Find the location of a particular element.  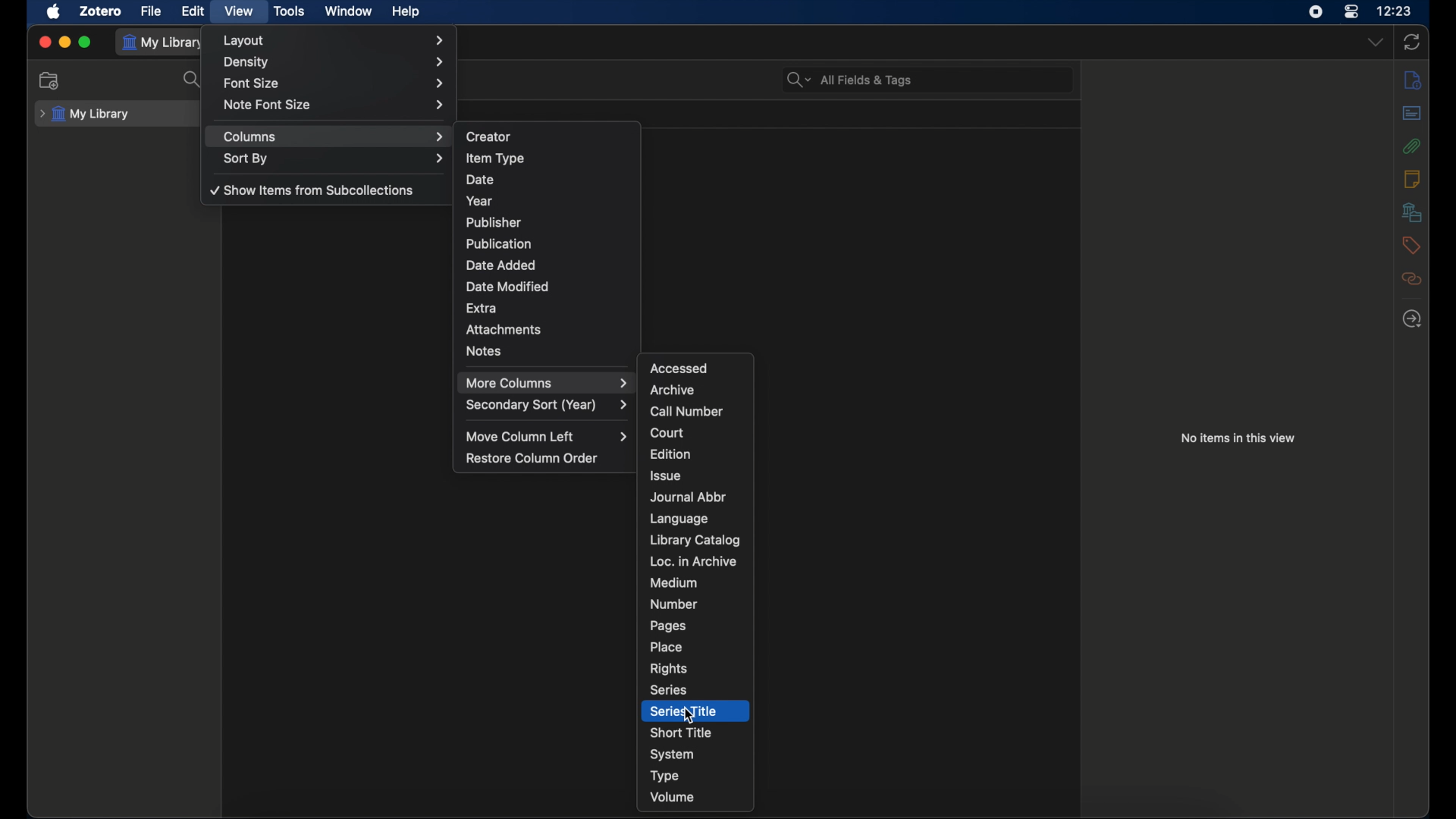

publisher is located at coordinates (493, 222).